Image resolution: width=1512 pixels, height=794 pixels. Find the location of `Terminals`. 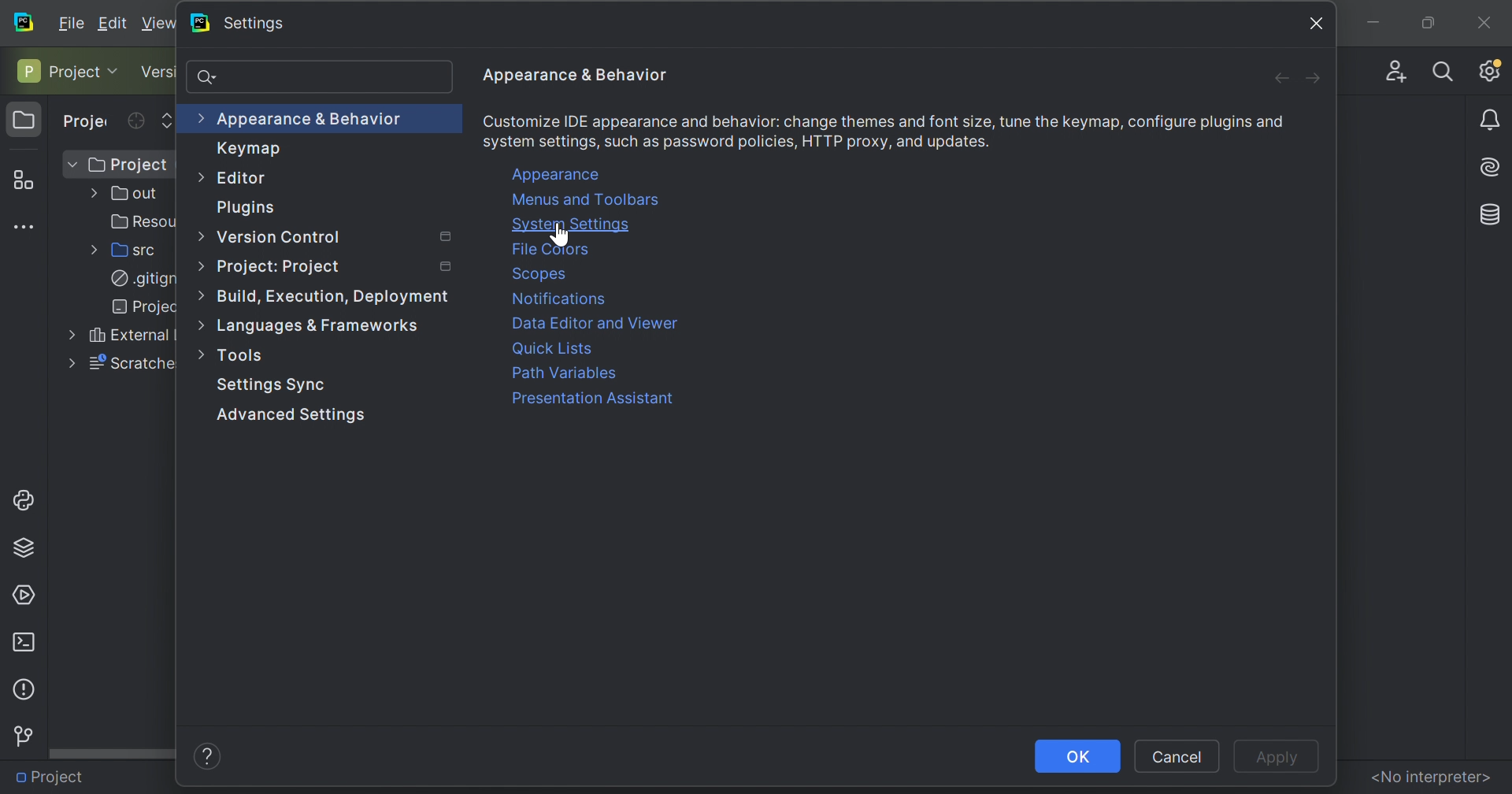

Terminals is located at coordinates (23, 641).